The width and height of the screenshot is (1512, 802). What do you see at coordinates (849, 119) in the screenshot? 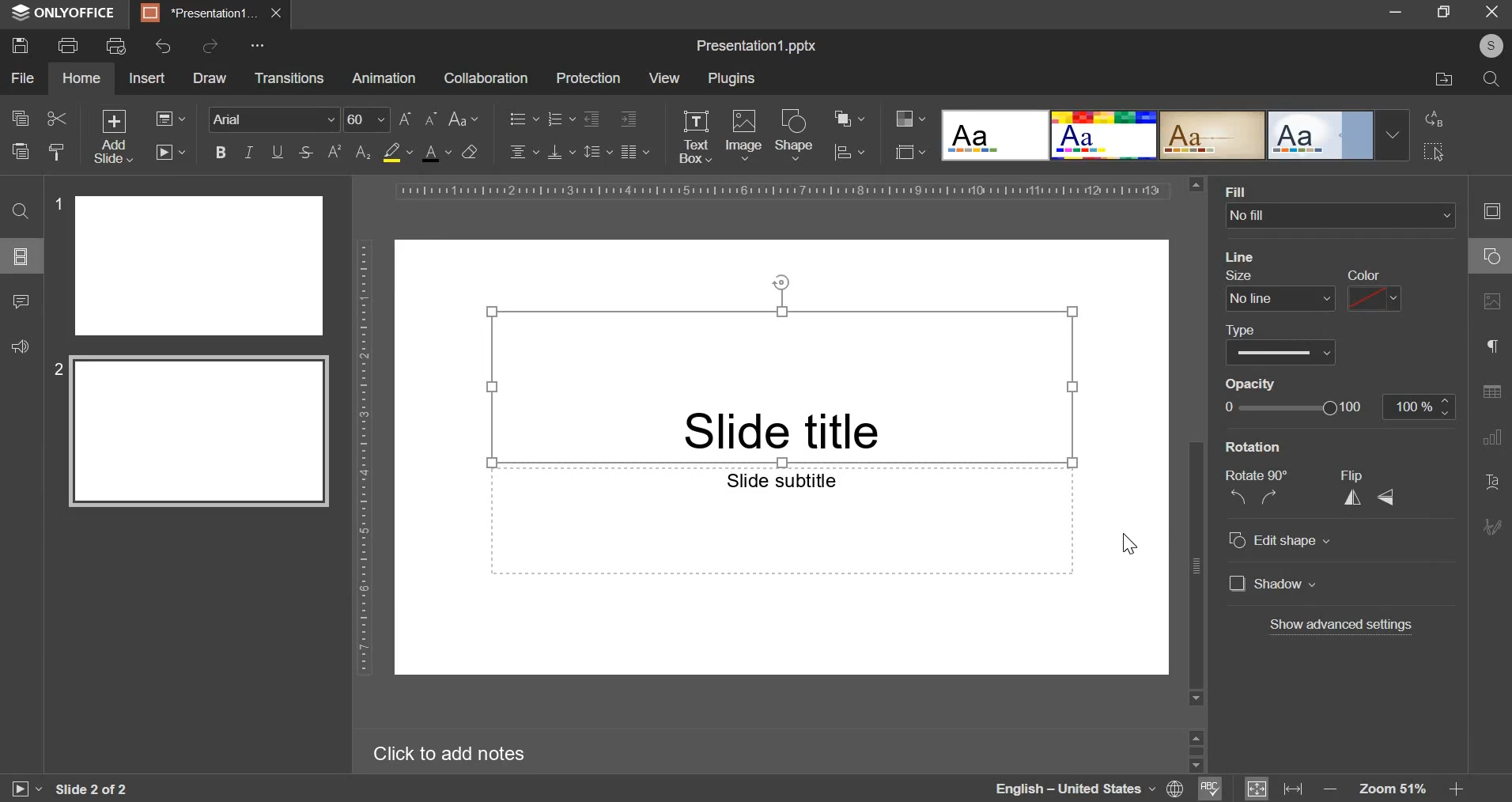
I see `arrange` at bounding box center [849, 119].